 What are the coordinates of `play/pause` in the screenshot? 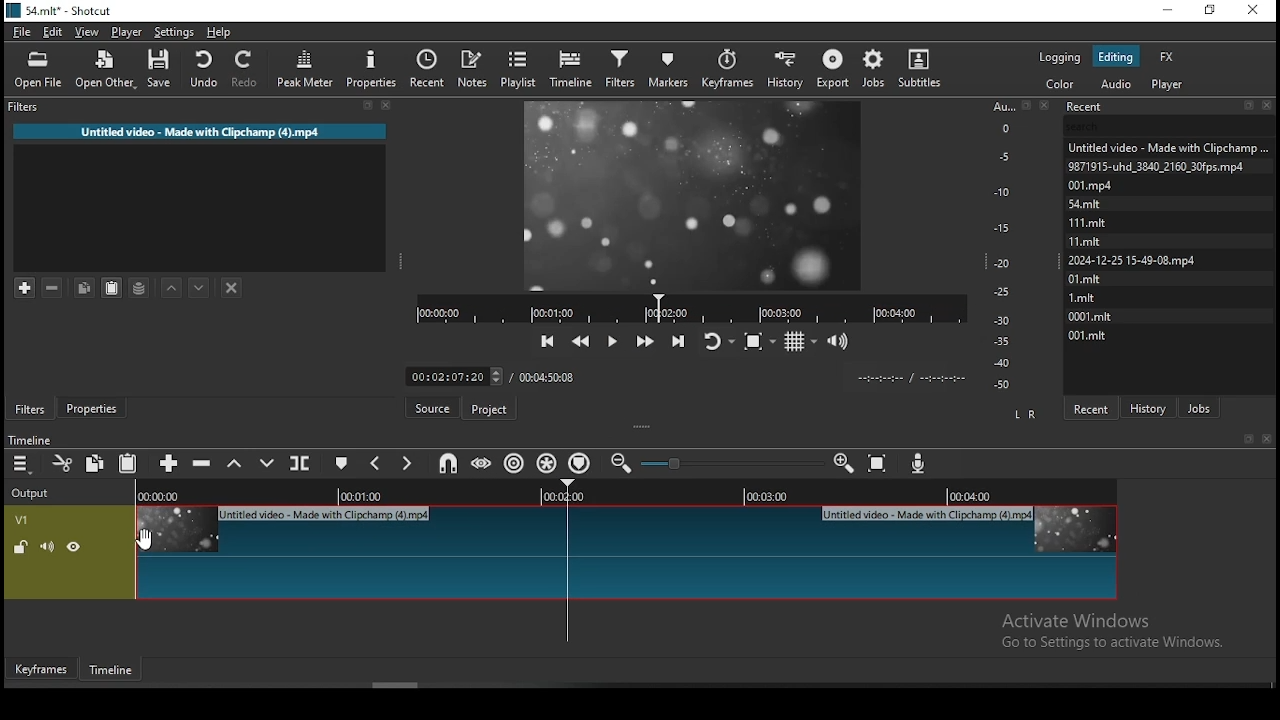 It's located at (613, 339).